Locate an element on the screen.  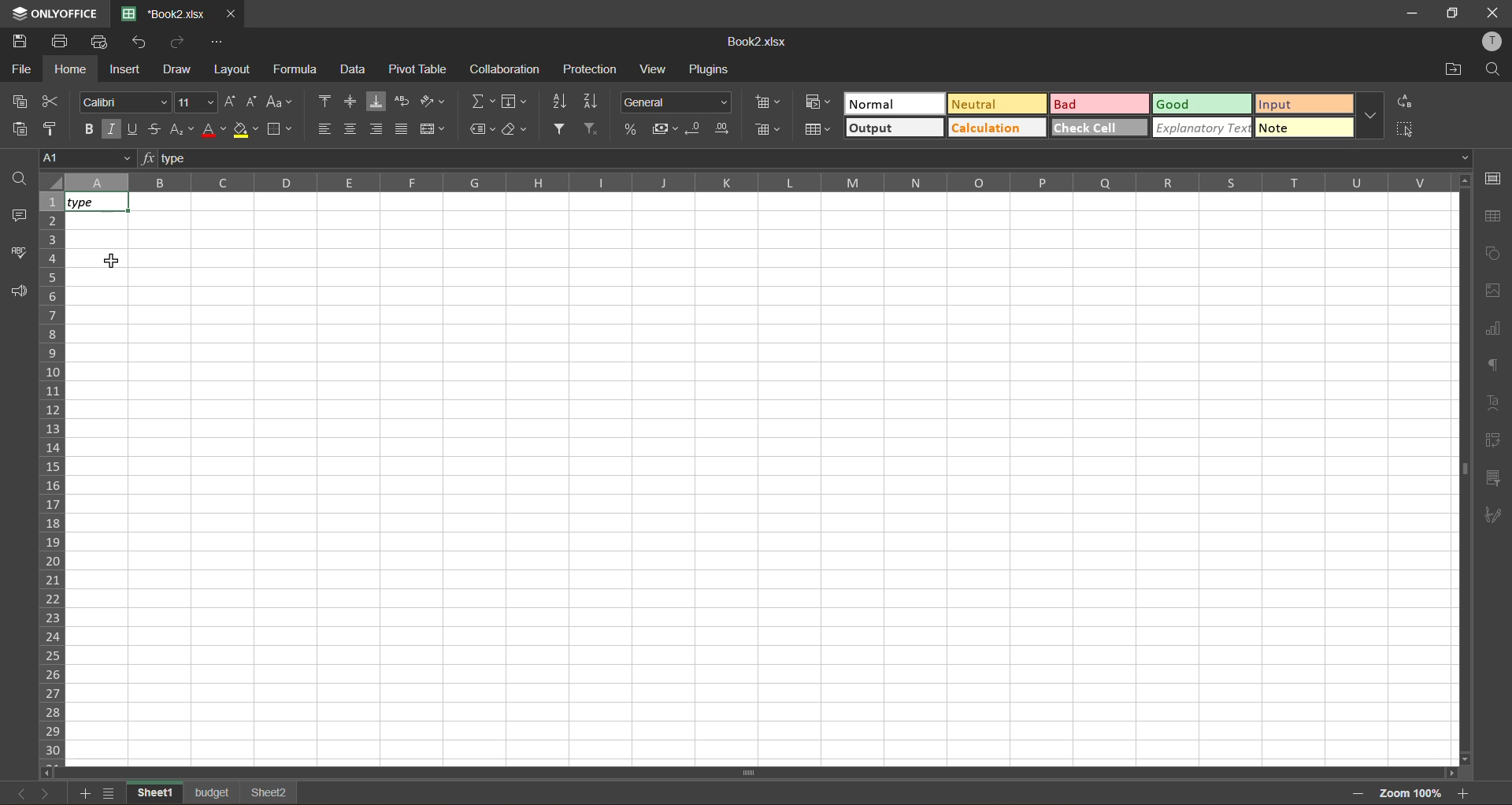
align middle is located at coordinates (350, 102).